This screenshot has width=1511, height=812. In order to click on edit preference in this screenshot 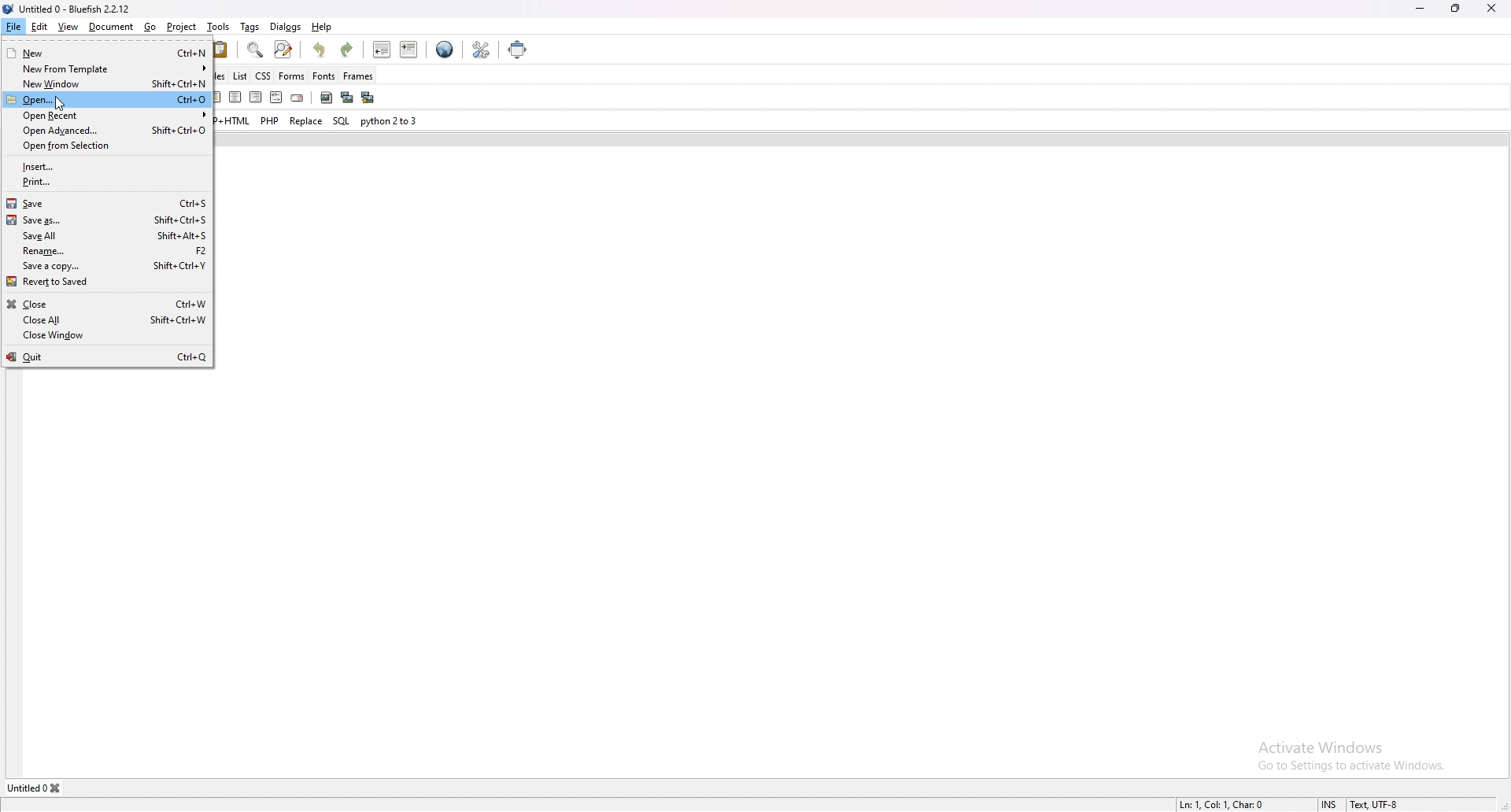, I will do `click(482, 49)`.